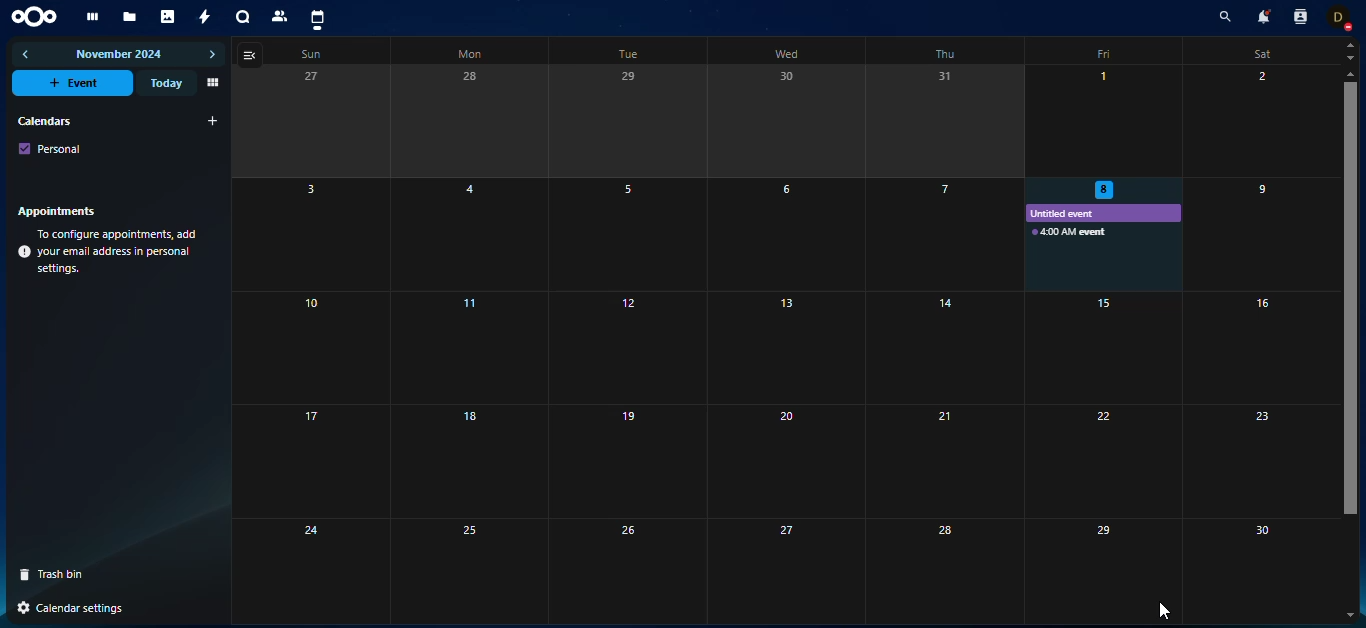 The height and width of the screenshot is (628, 1366). Describe the element at coordinates (623, 346) in the screenshot. I see `12` at that location.